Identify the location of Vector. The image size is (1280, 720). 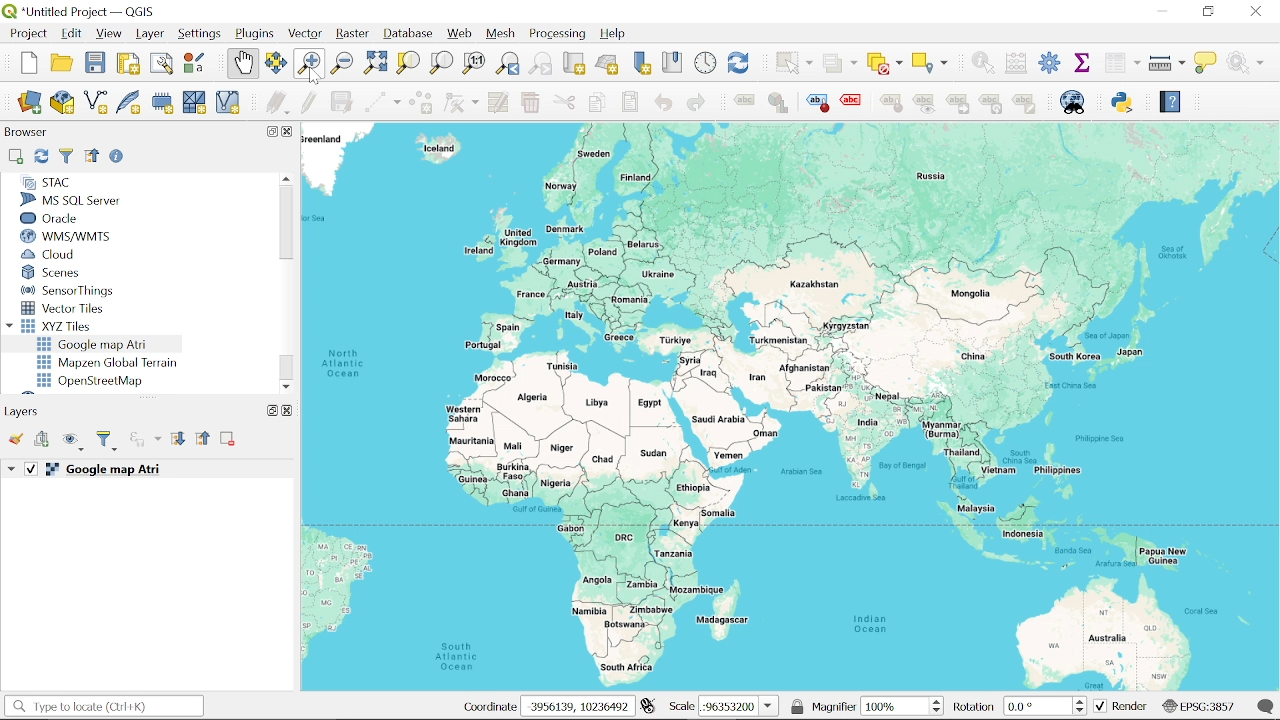
(306, 35).